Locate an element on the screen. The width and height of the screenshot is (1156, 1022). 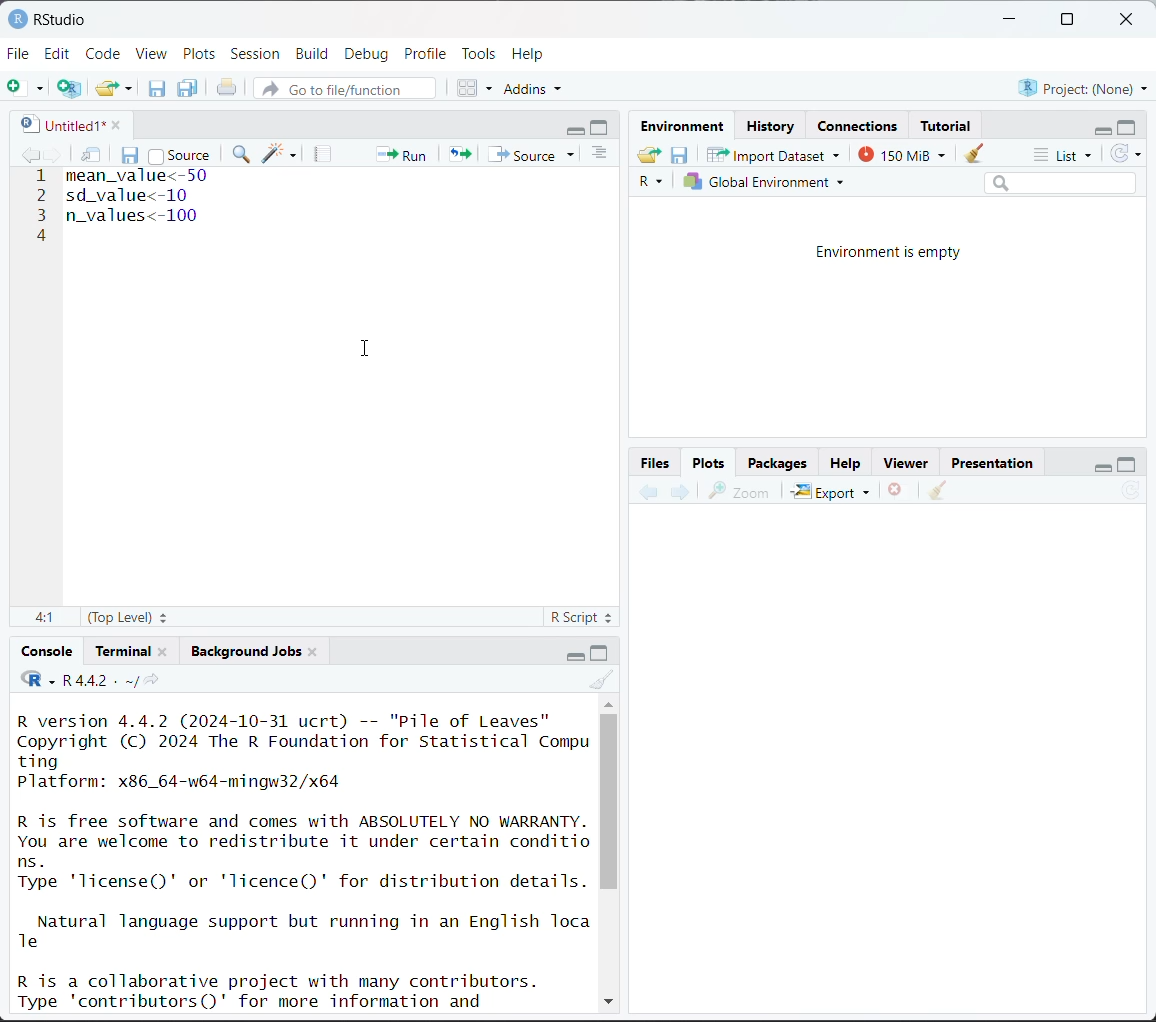
R version 4.4.2 (2024-10-31 ucrt) -- "Pile of Leaves"

Copyright (C) 2024 The R Foundation for Statistical Compu

ting

Platform: x86_64-w64-mingw32/x64

R is free software and comes with ABSOLUTELY NO WARRANTY.

You are welcome to redistribute it under certain conditio

ns.

Type 'license()' or 'licence()' for distribution details.
Natural language support but running in an English Toca

Te

R is a collaborative project with many contributors.

Type 'contributors()' for more information and is located at coordinates (305, 859).